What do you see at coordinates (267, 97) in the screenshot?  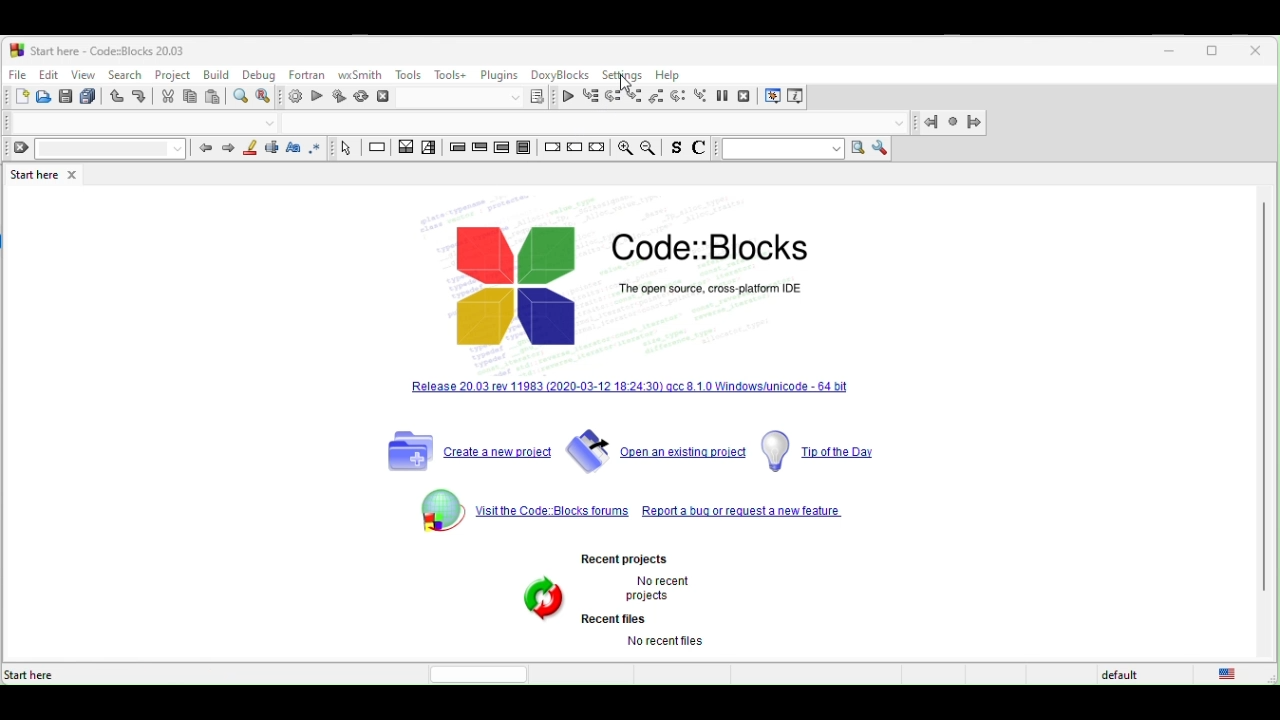 I see `replace` at bounding box center [267, 97].